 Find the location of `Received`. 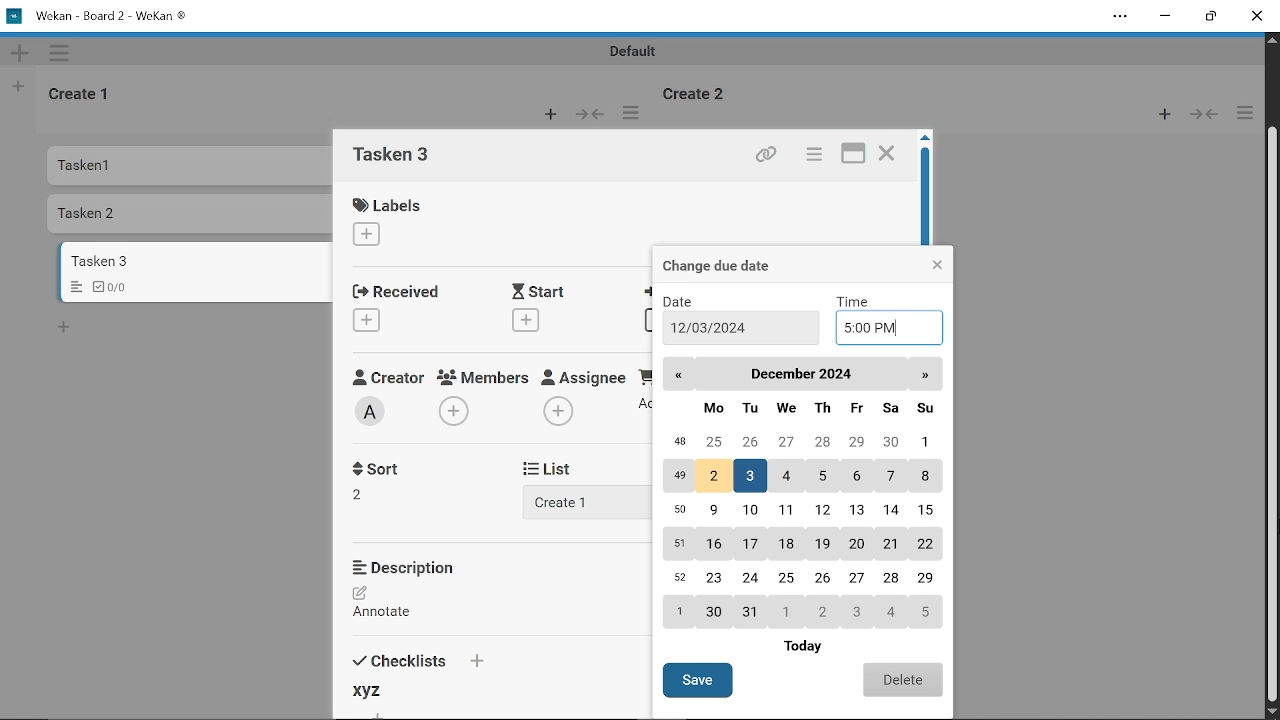

Received is located at coordinates (394, 290).